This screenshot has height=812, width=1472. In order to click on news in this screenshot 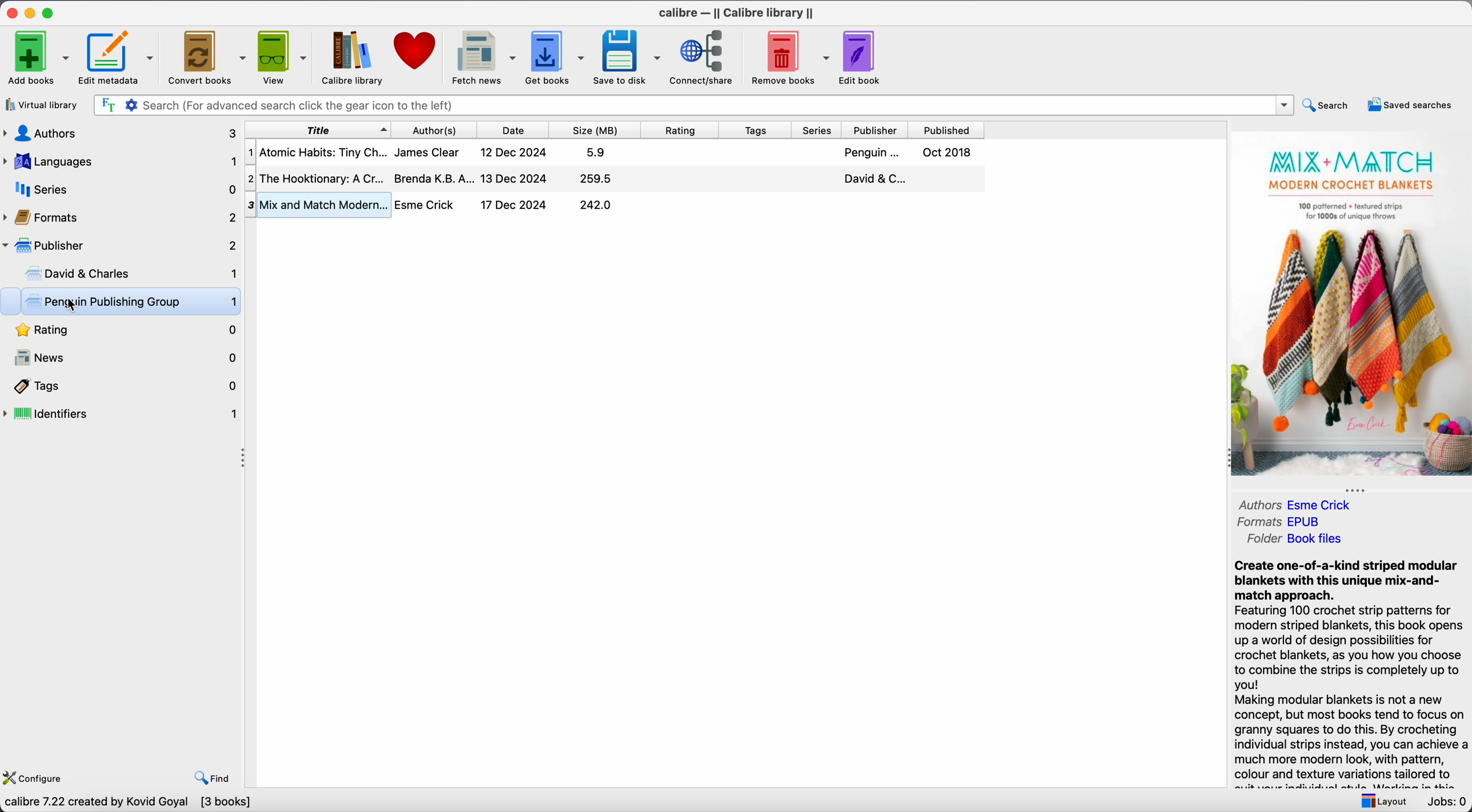, I will do `click(122, 358)`.